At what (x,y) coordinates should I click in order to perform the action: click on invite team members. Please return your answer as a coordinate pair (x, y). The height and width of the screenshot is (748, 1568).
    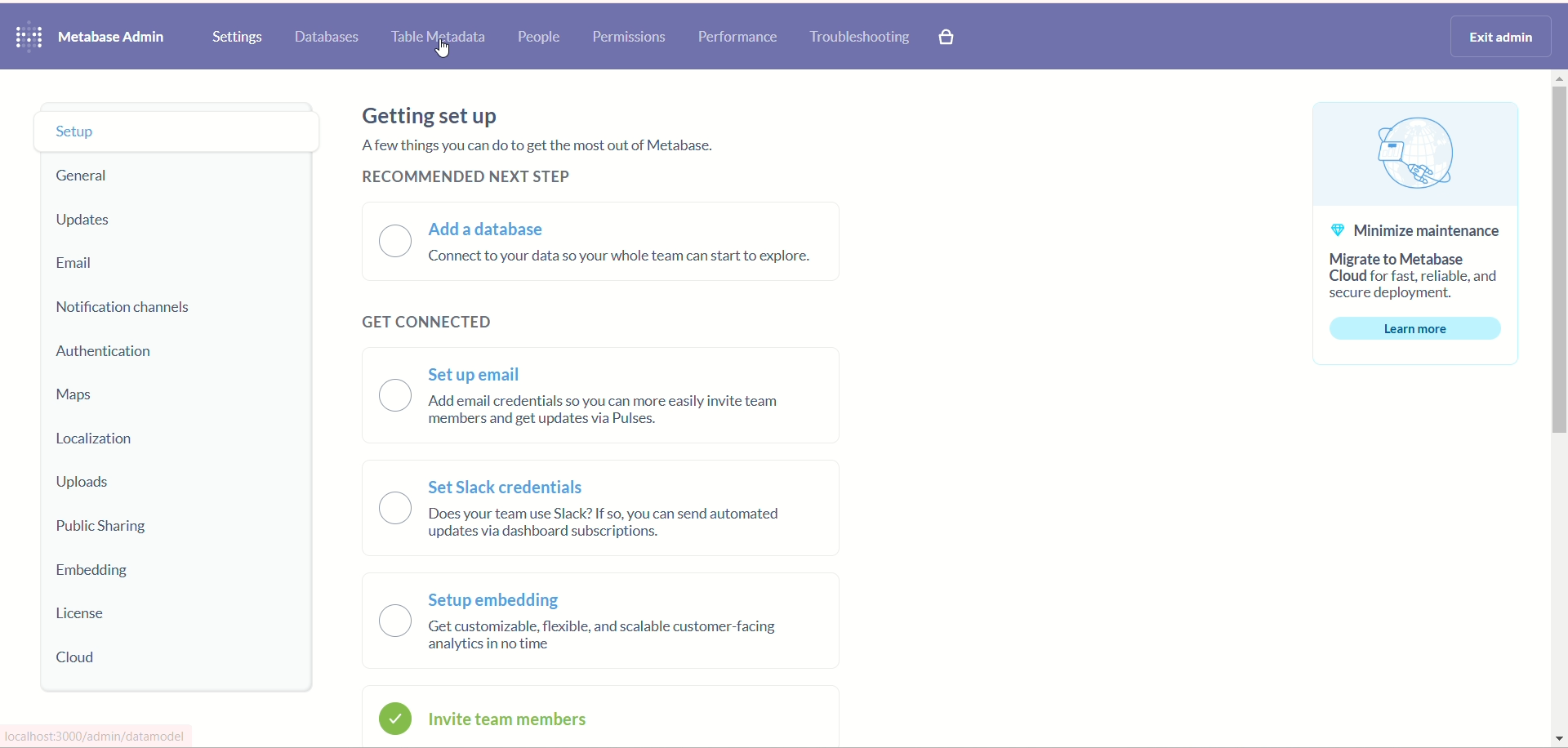
    Looking at the image, I should click on (510, 721).